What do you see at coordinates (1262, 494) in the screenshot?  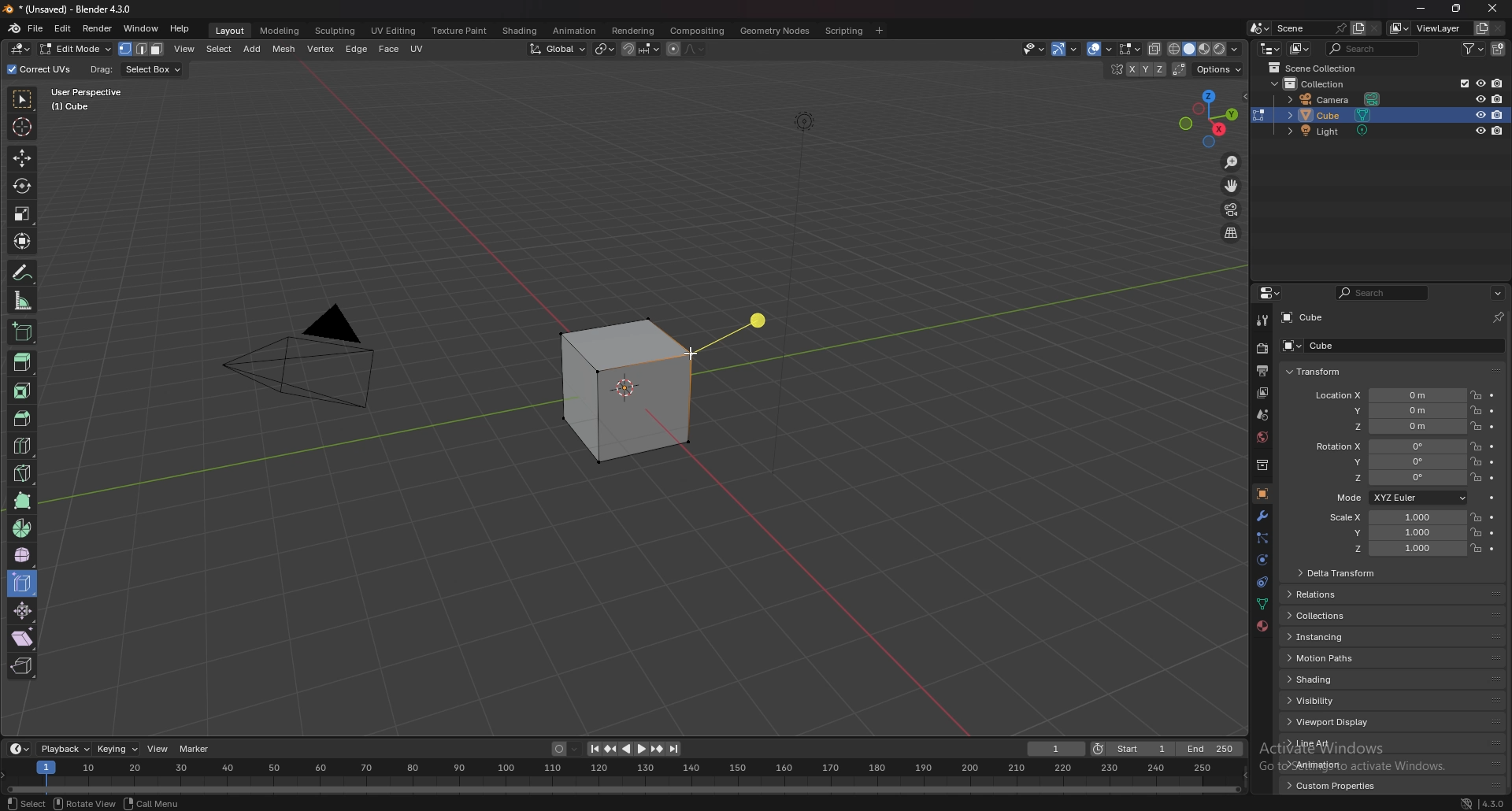 I see `object` at bounding box center [1262, 494].